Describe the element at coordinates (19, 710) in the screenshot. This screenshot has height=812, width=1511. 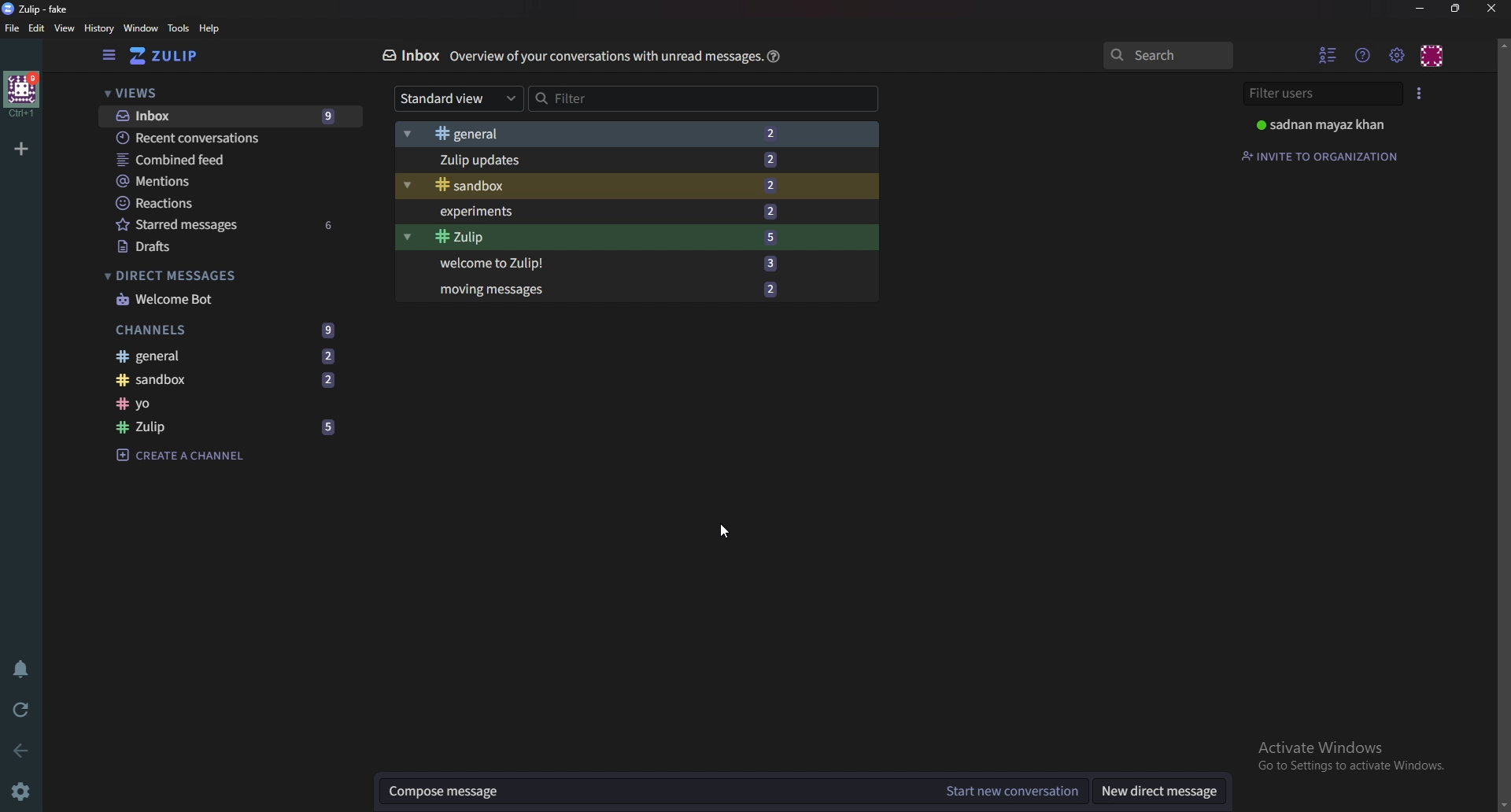
I see `reload` at that location.